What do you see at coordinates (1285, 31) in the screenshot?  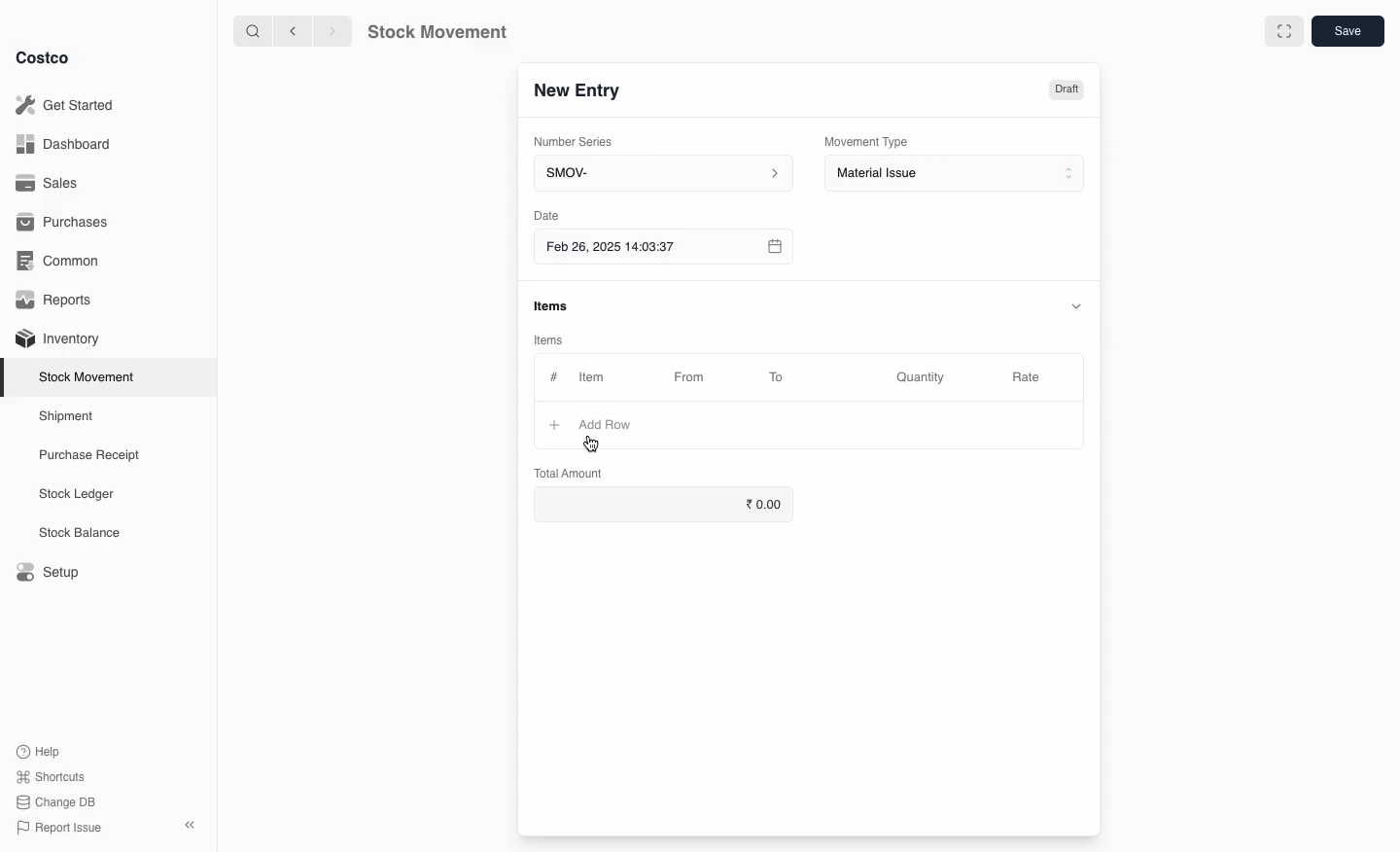 I see `Full width toggle` at bounding box center [1285, 31].